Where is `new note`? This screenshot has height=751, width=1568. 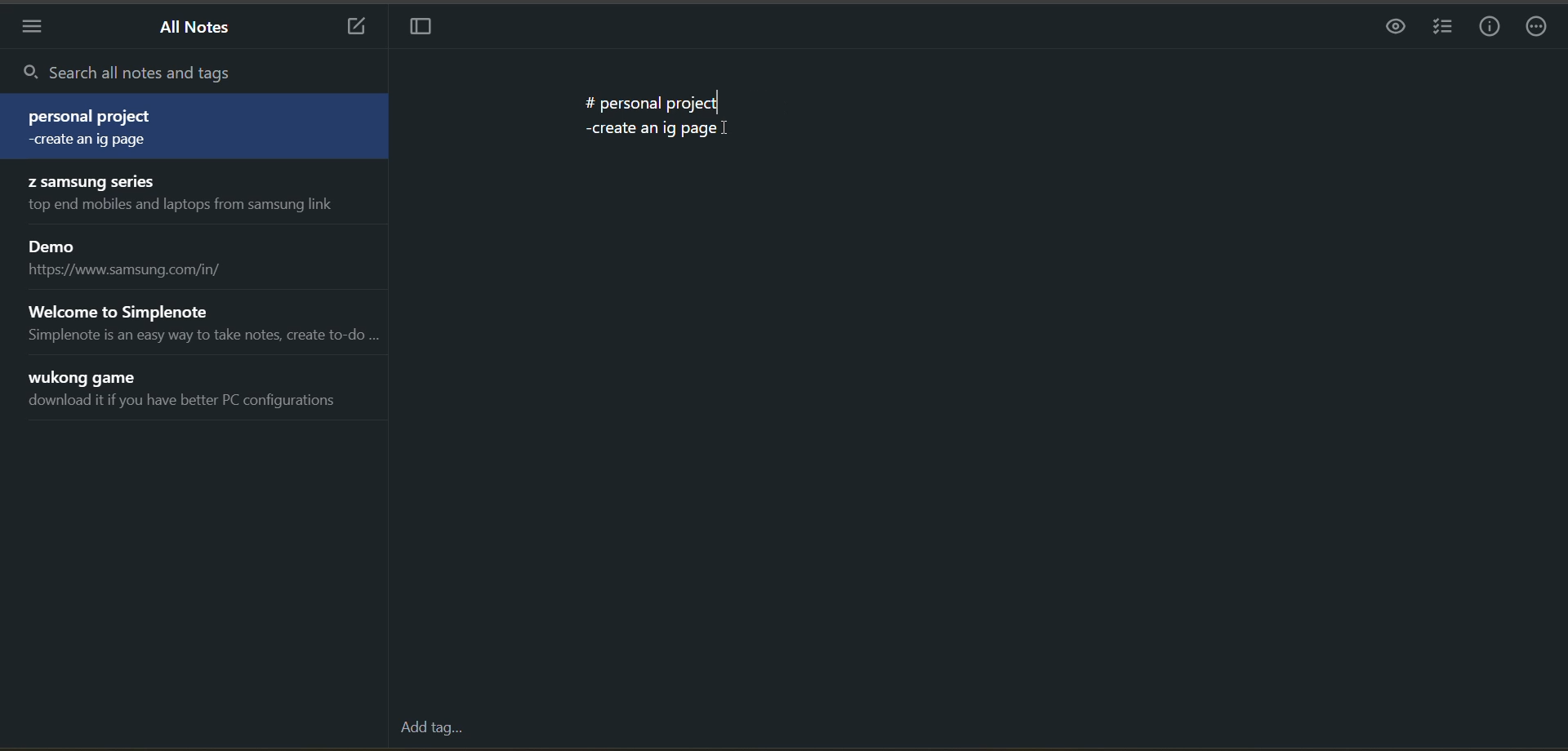 new note is located at coordinates (358, 28).